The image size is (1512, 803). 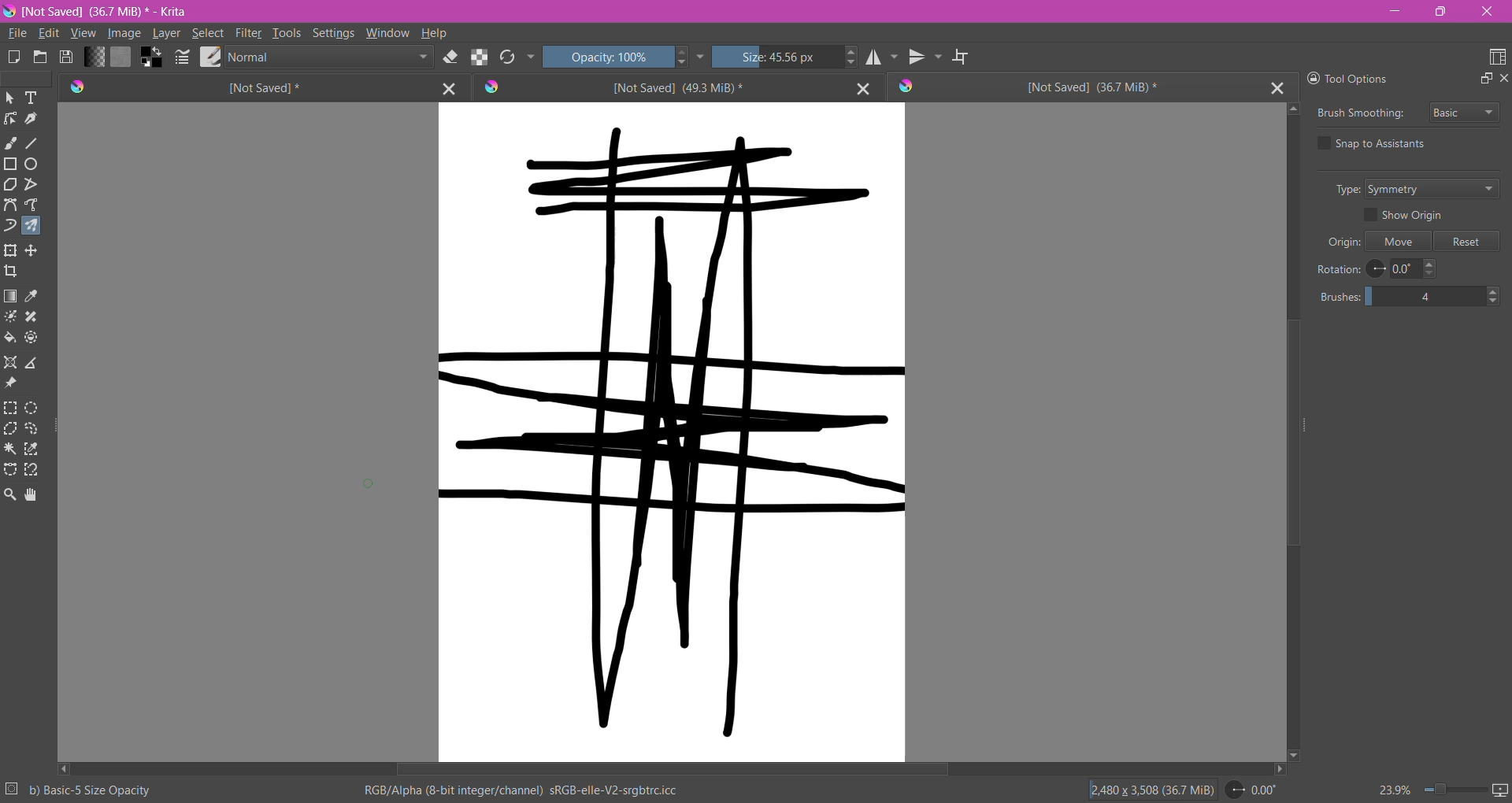 What do you see at coordinates (11, 470) in the screenshot?
I see `Bezier Curve Selection Tool` at bounding box center [11, 470].